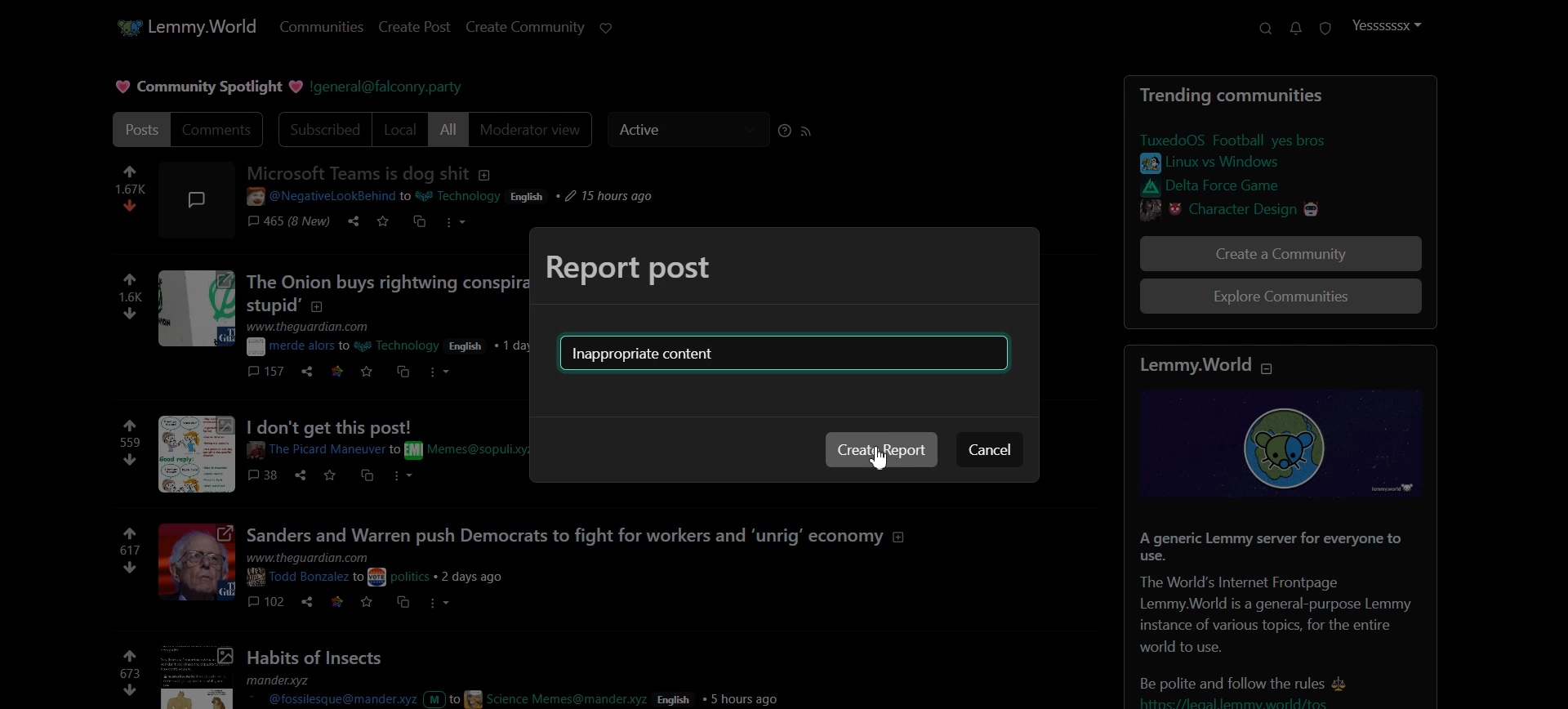 The height and width of the screenshot is (709, 1568). What do you see at coordinates (331, 476) in the screenshot?
I see `save` at bounding box center [331, 476].